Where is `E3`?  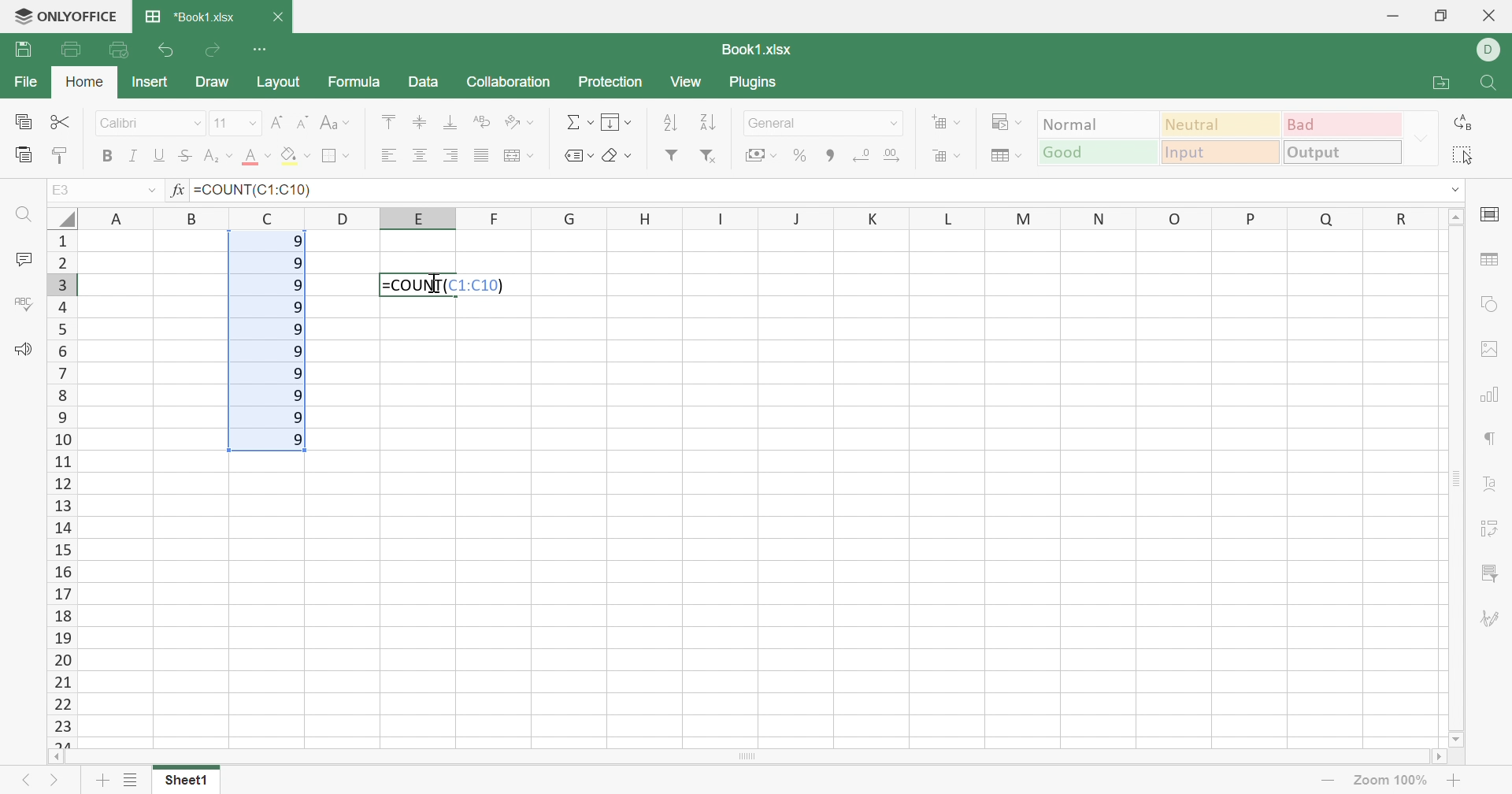 E3 is located at coordinates (62, 189).